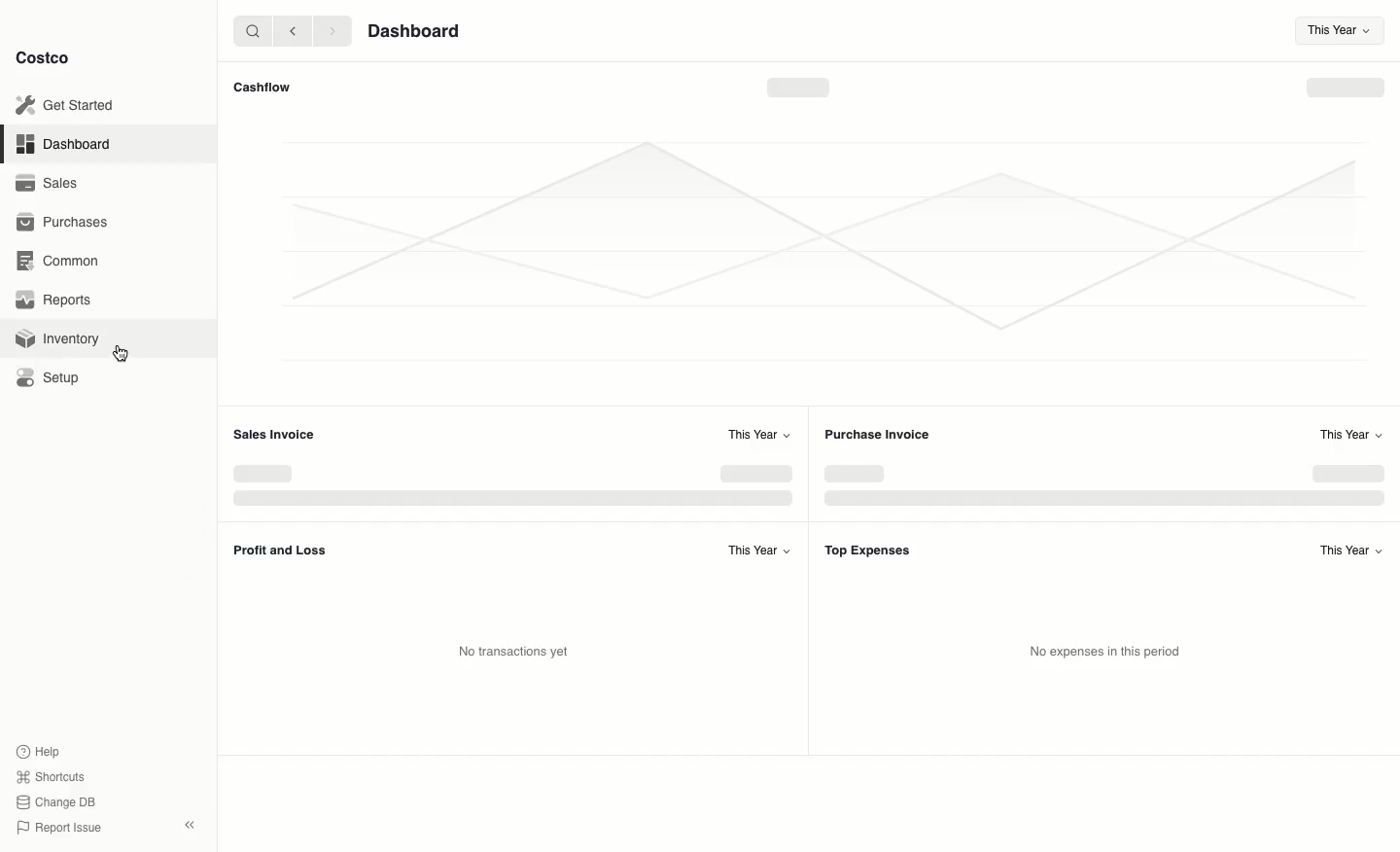 The height and width of the screenshot is (852, 1400). What do you see at coordinates (1347, 434) in the screenshot?
I see `This Year` at bounding box center [1347, 434].